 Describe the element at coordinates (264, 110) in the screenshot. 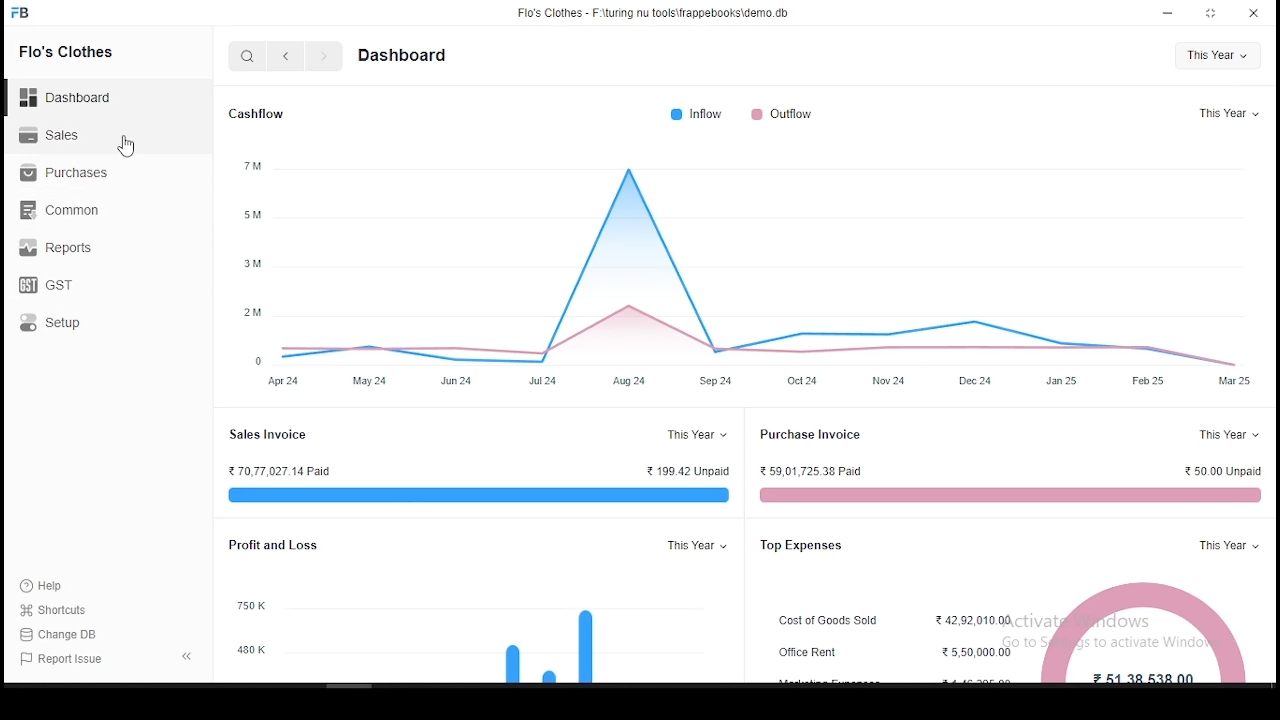

I see `cashflow` at that location.